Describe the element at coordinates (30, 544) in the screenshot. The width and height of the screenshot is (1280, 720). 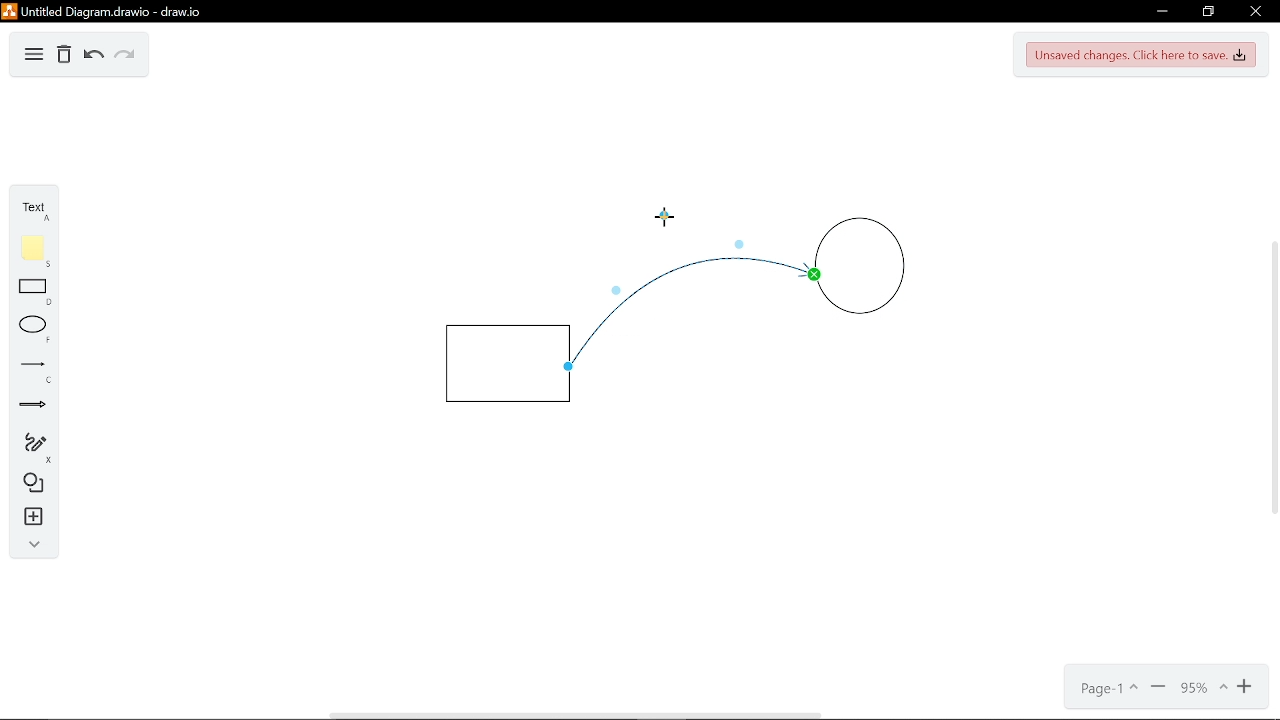
I see `Collapse` at that location.